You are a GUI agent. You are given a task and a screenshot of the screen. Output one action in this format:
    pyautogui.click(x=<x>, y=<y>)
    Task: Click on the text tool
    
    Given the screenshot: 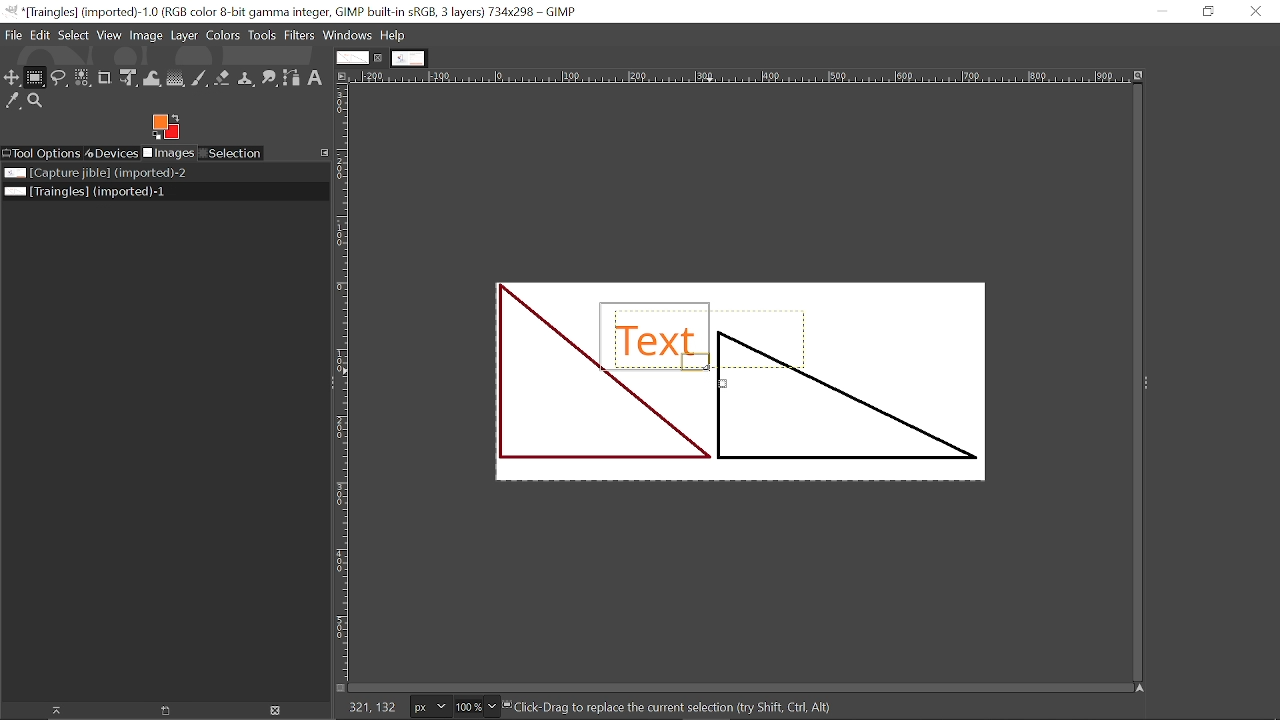 What is the action you would take?
    pyautogui.click(x=316, y=79)
    